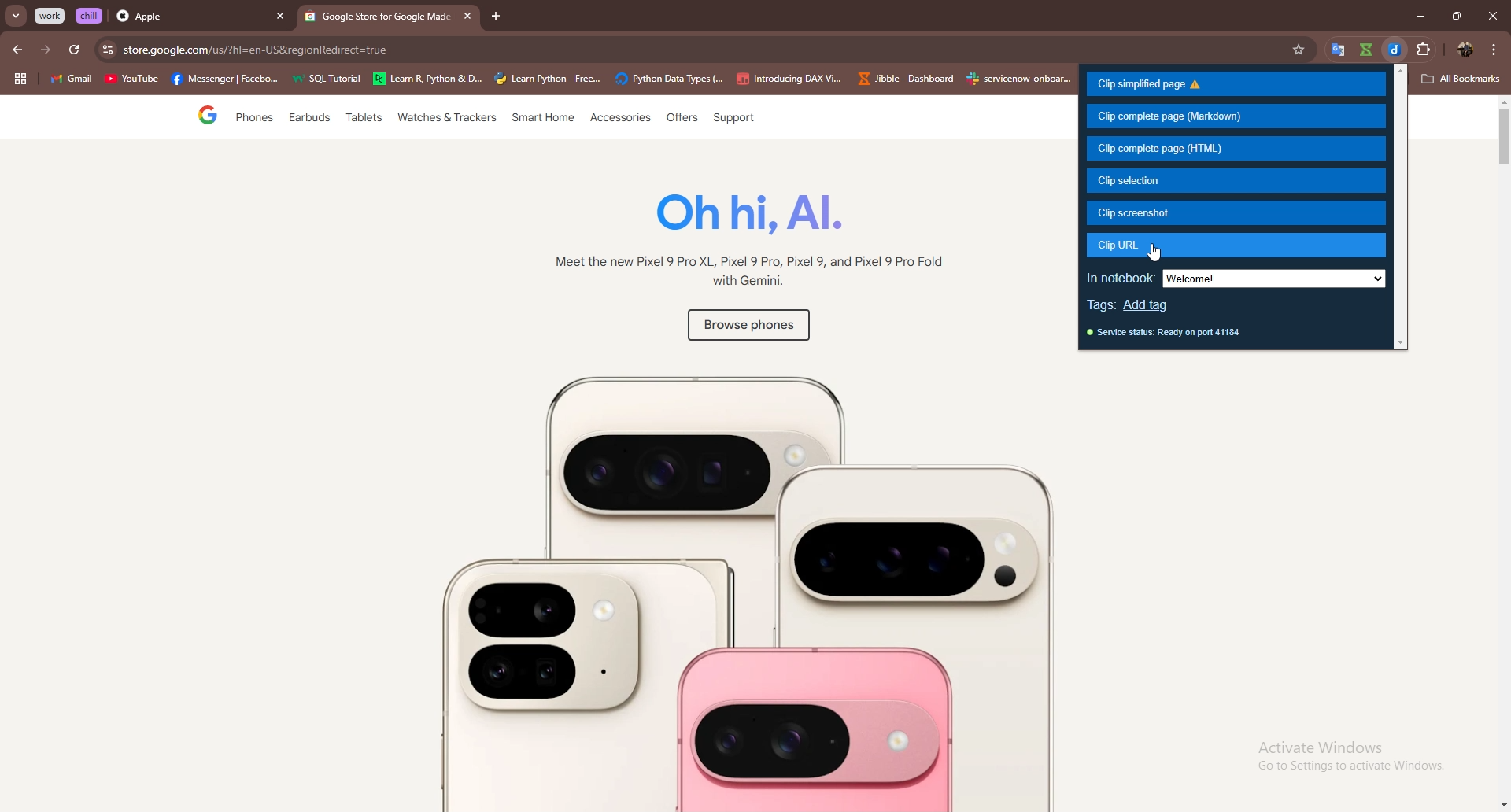 The width and height of the screenshot is (1511, 812). I want to click on Watches & Trackers, so click(449, 119).